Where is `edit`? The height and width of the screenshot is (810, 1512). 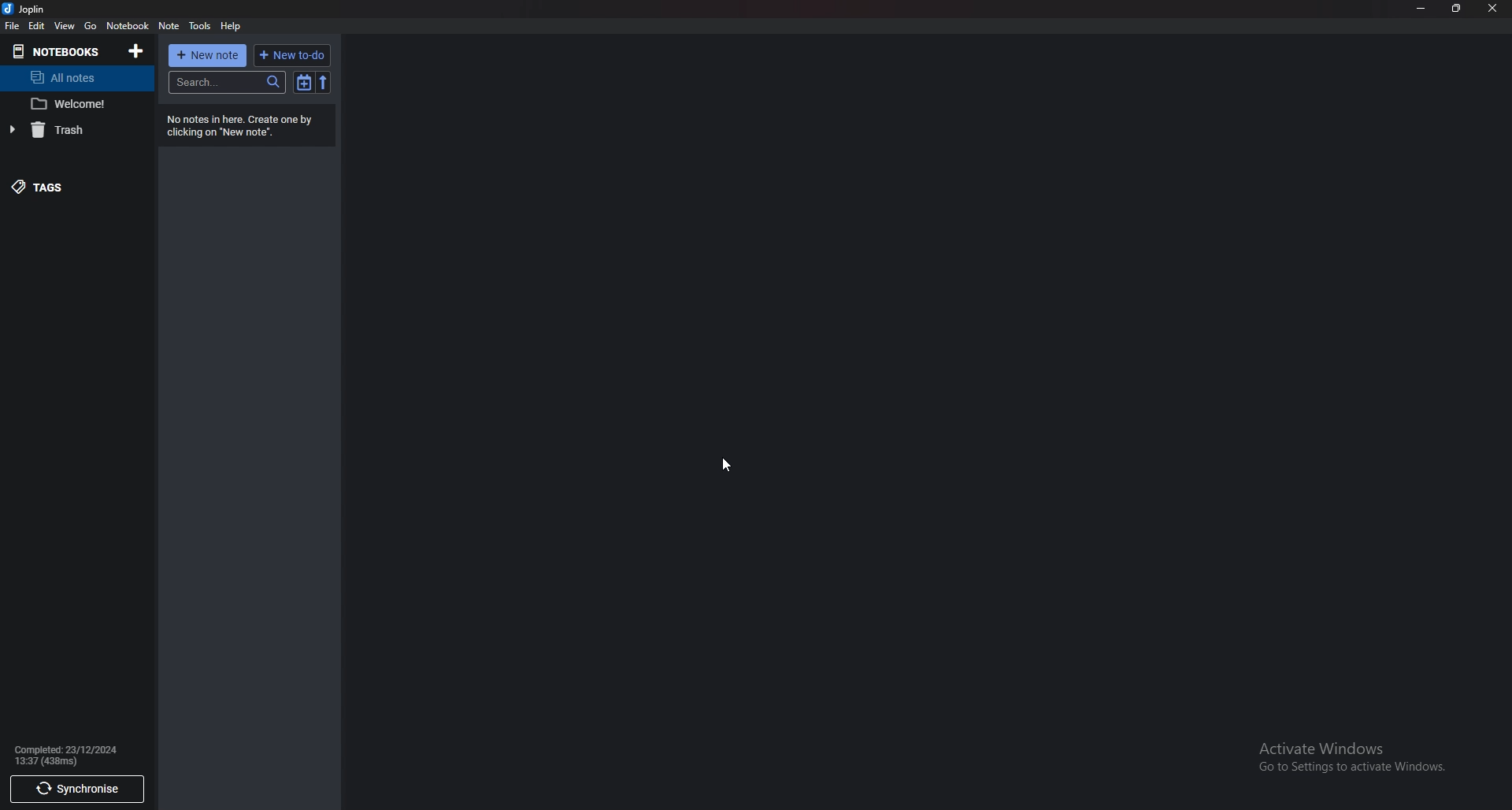
edit is located at coordinates (36, 26).